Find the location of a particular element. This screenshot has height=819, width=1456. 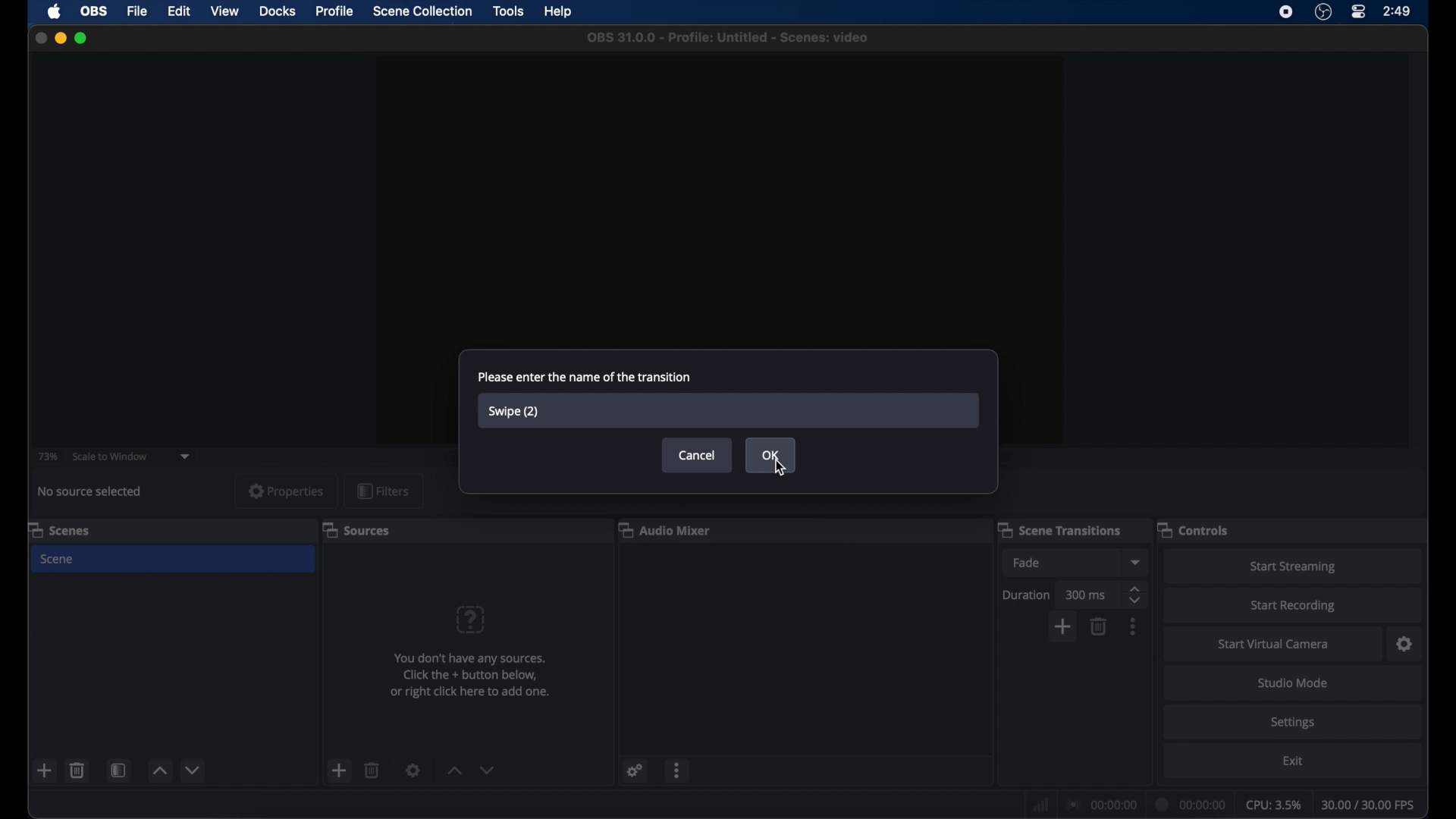

pleasanter the name of the transition is located at coordinates (584, 376).